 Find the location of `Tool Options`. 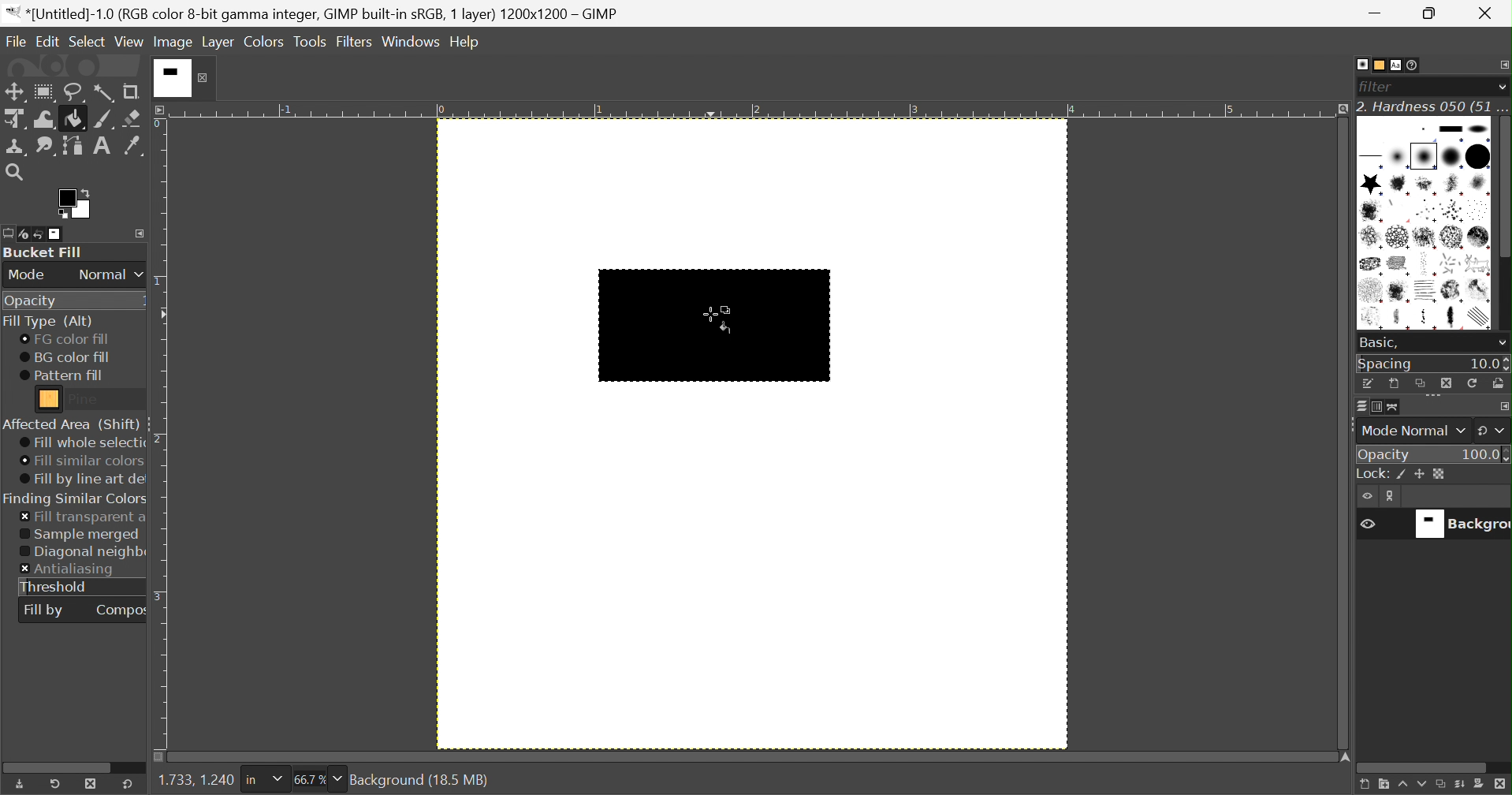

Tool Options is located at coordinates (9, 233).